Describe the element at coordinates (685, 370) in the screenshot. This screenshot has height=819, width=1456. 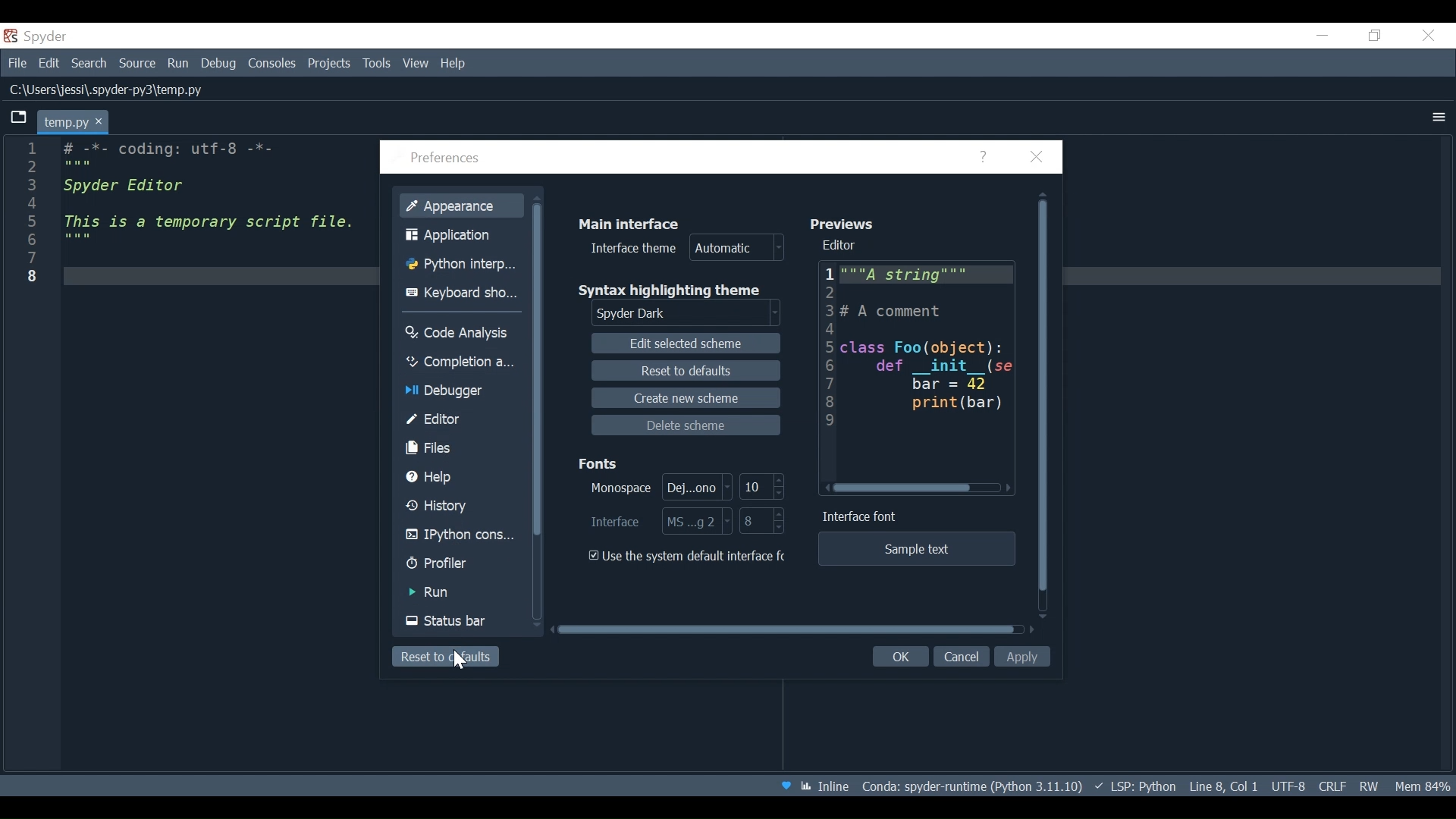
I see `Reset to defaults` at that location.